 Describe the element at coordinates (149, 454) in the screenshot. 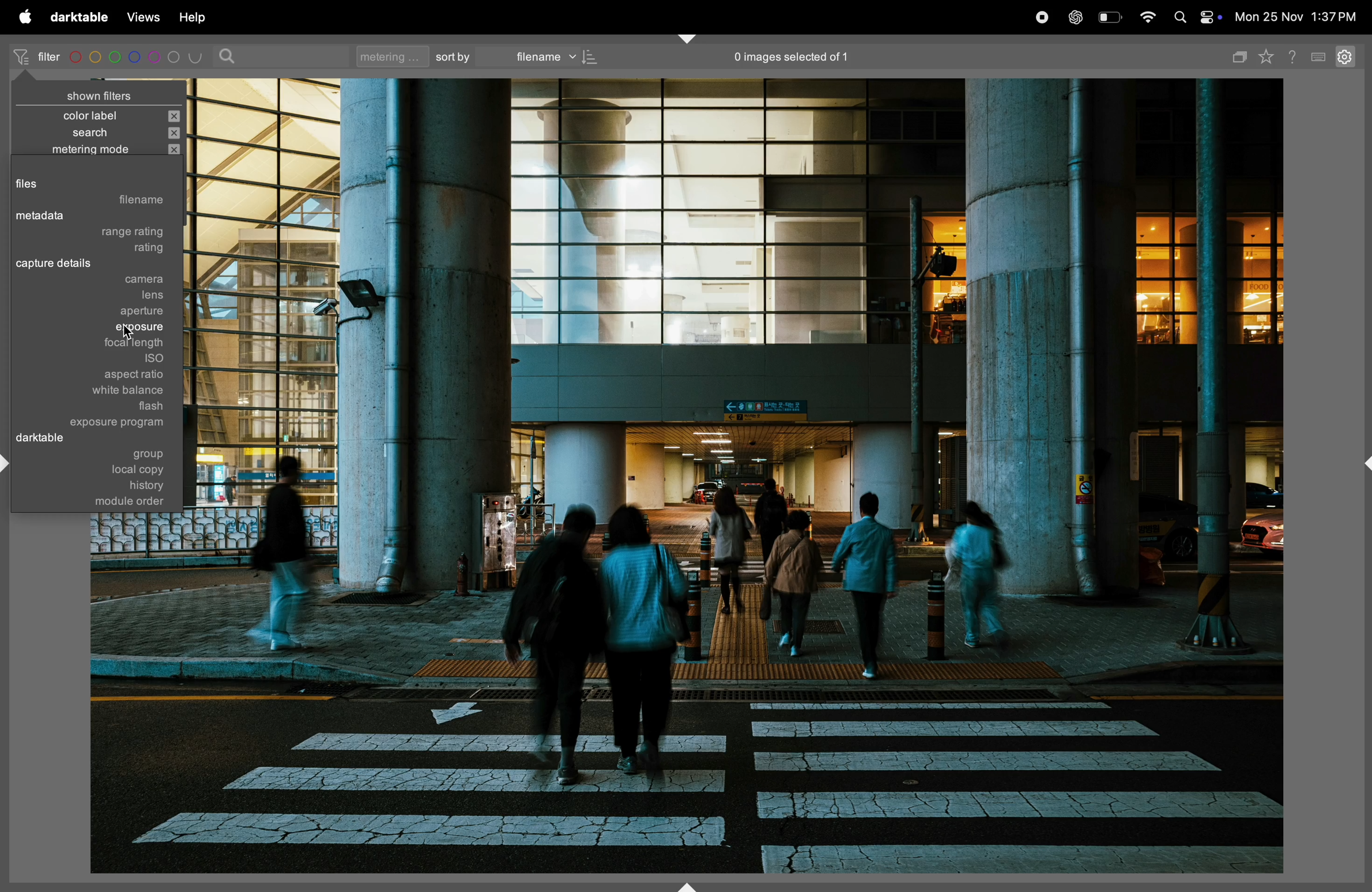

I see `group` at that location.